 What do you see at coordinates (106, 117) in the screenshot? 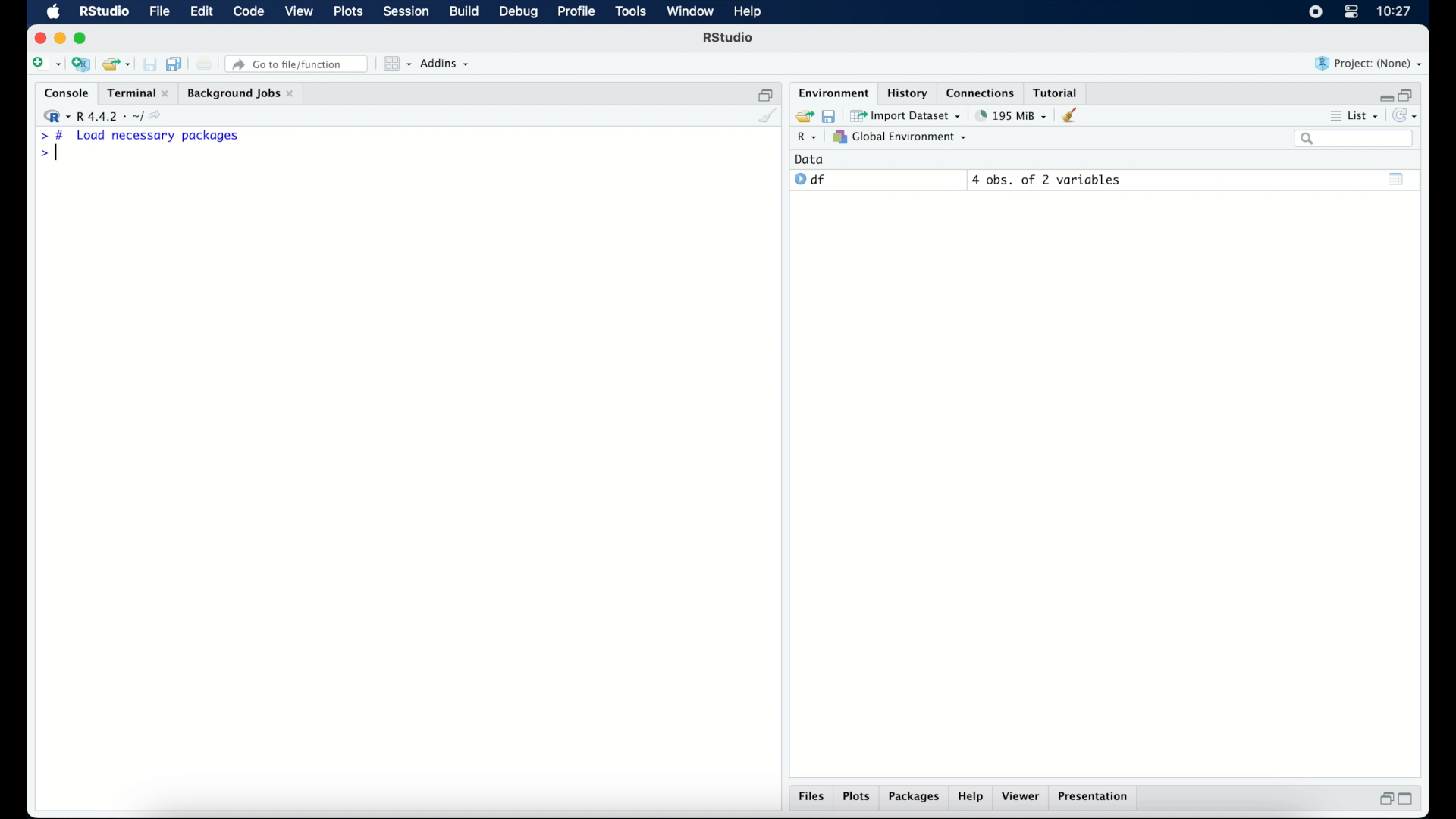
I see `R 4.4.2` at bounding box center [106, 117].